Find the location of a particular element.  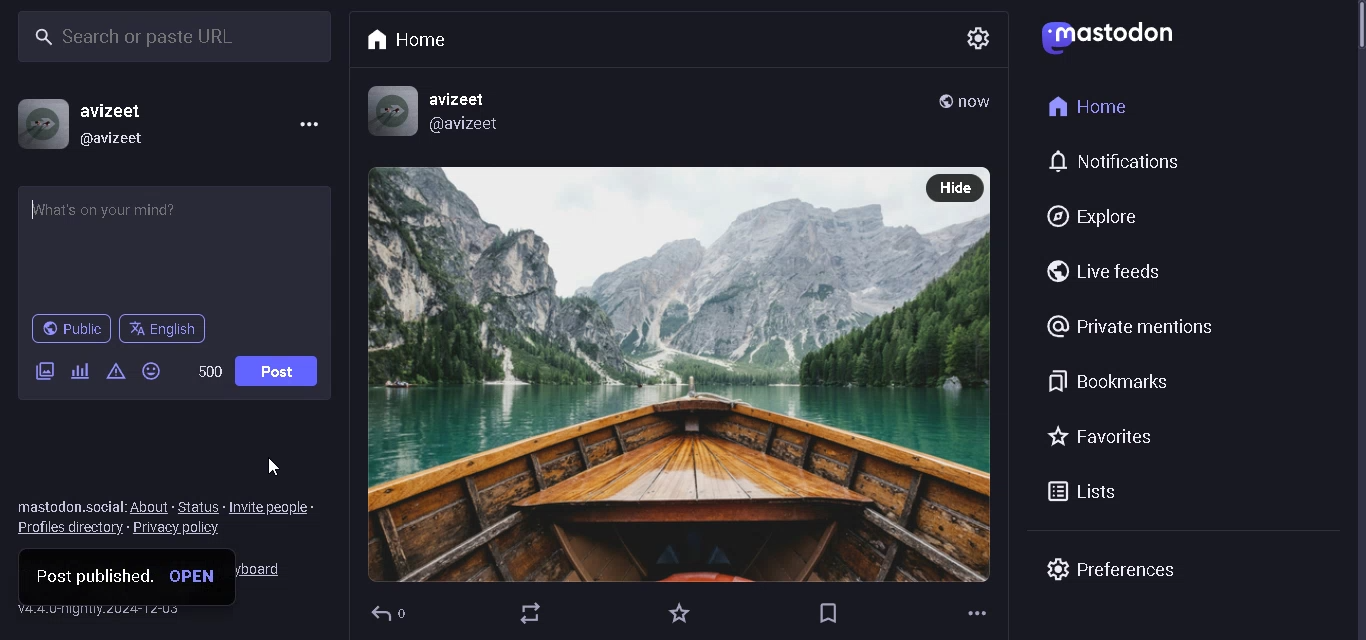

more is located at coordinates (977, 614).